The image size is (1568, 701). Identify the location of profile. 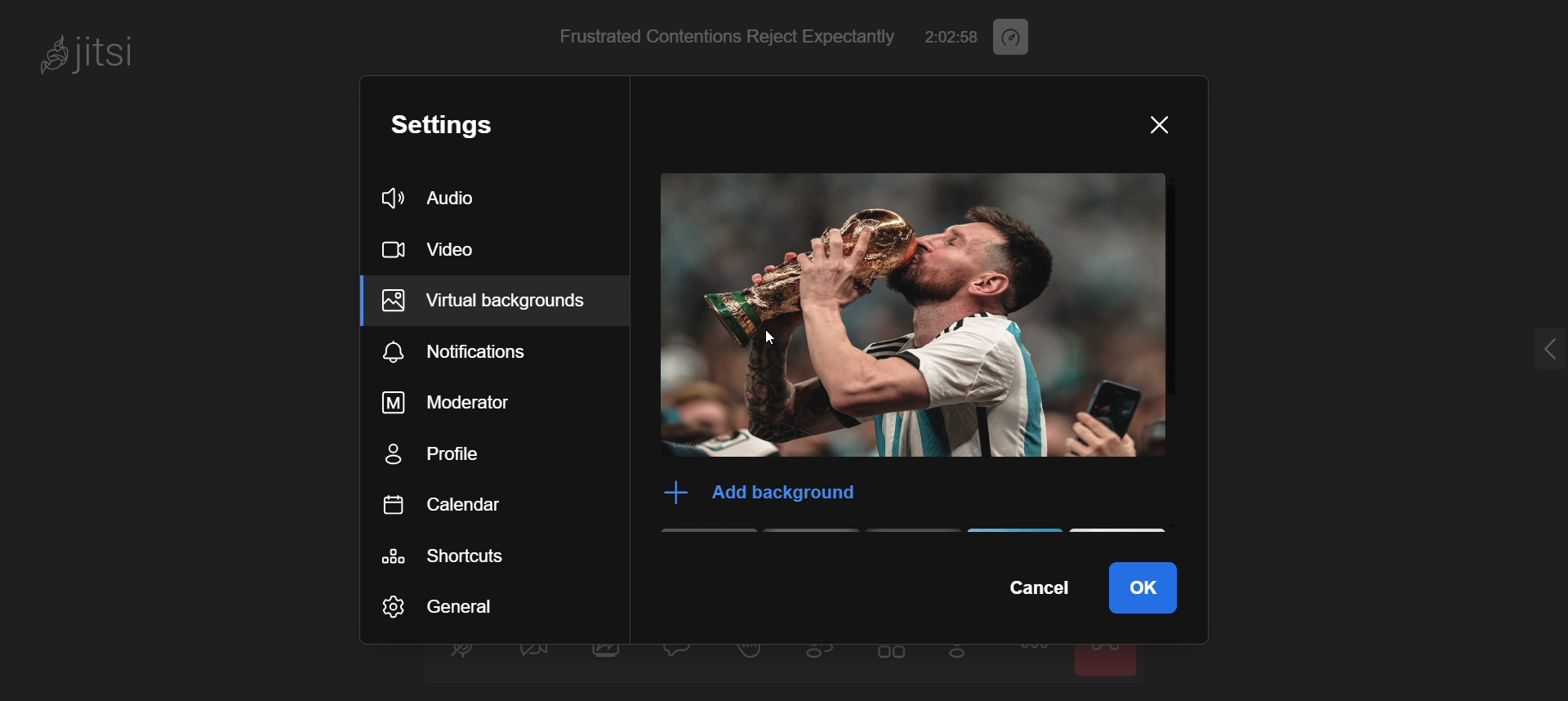
(472, 453).